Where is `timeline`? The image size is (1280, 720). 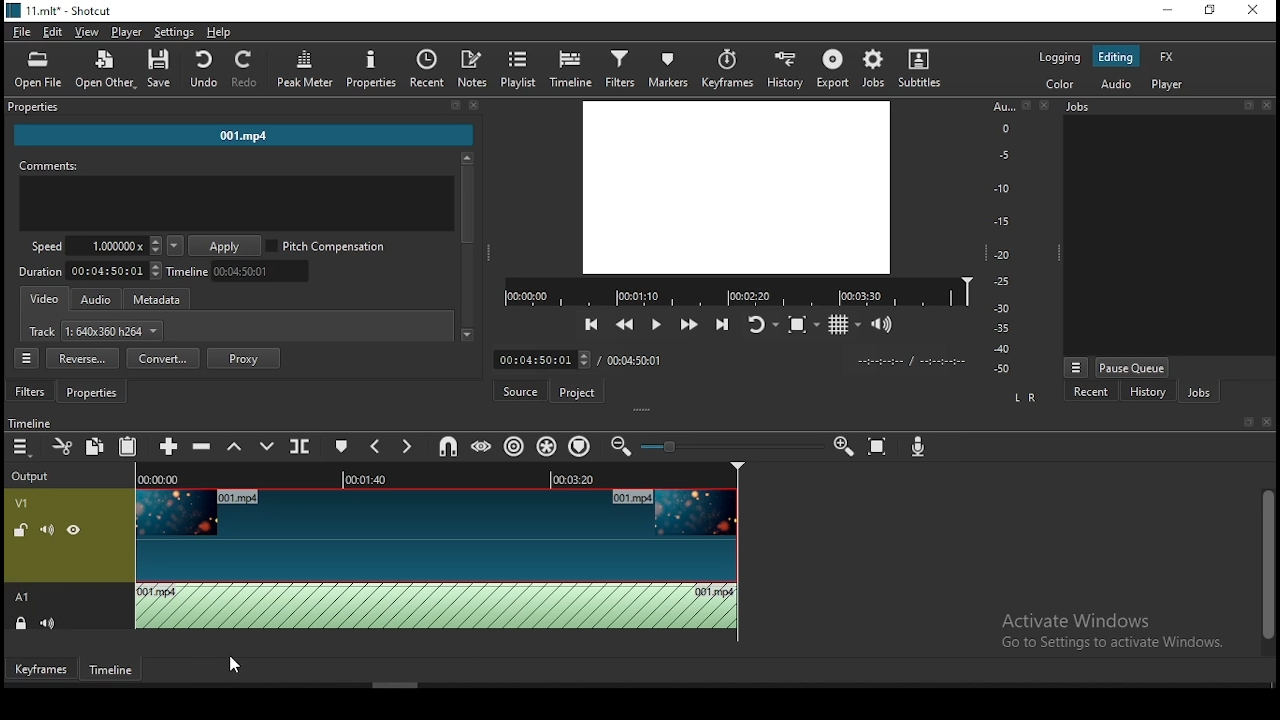 timeline is located at coordinates (243, 272).